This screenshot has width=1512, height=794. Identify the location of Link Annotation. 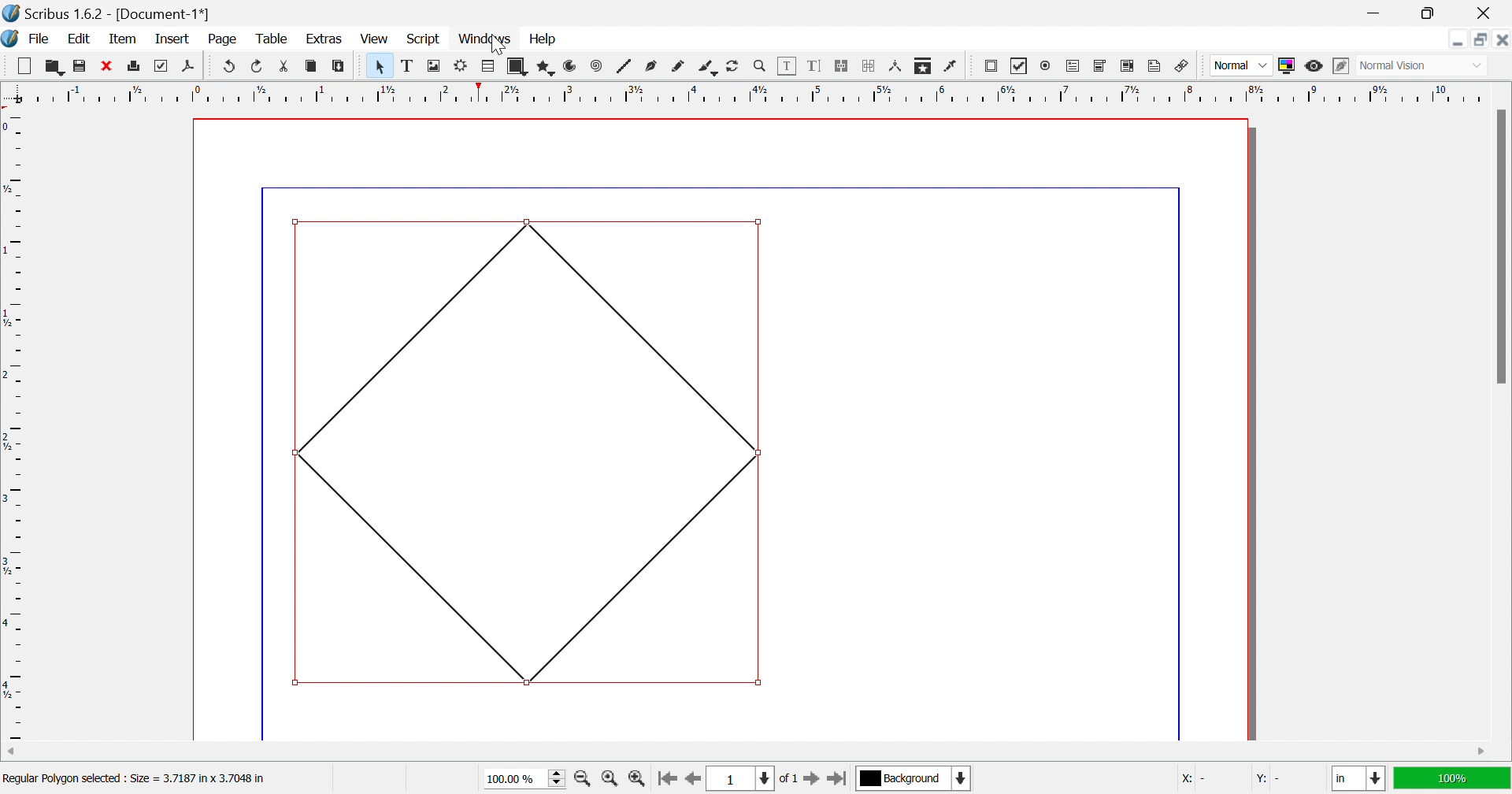
(1182, 68).